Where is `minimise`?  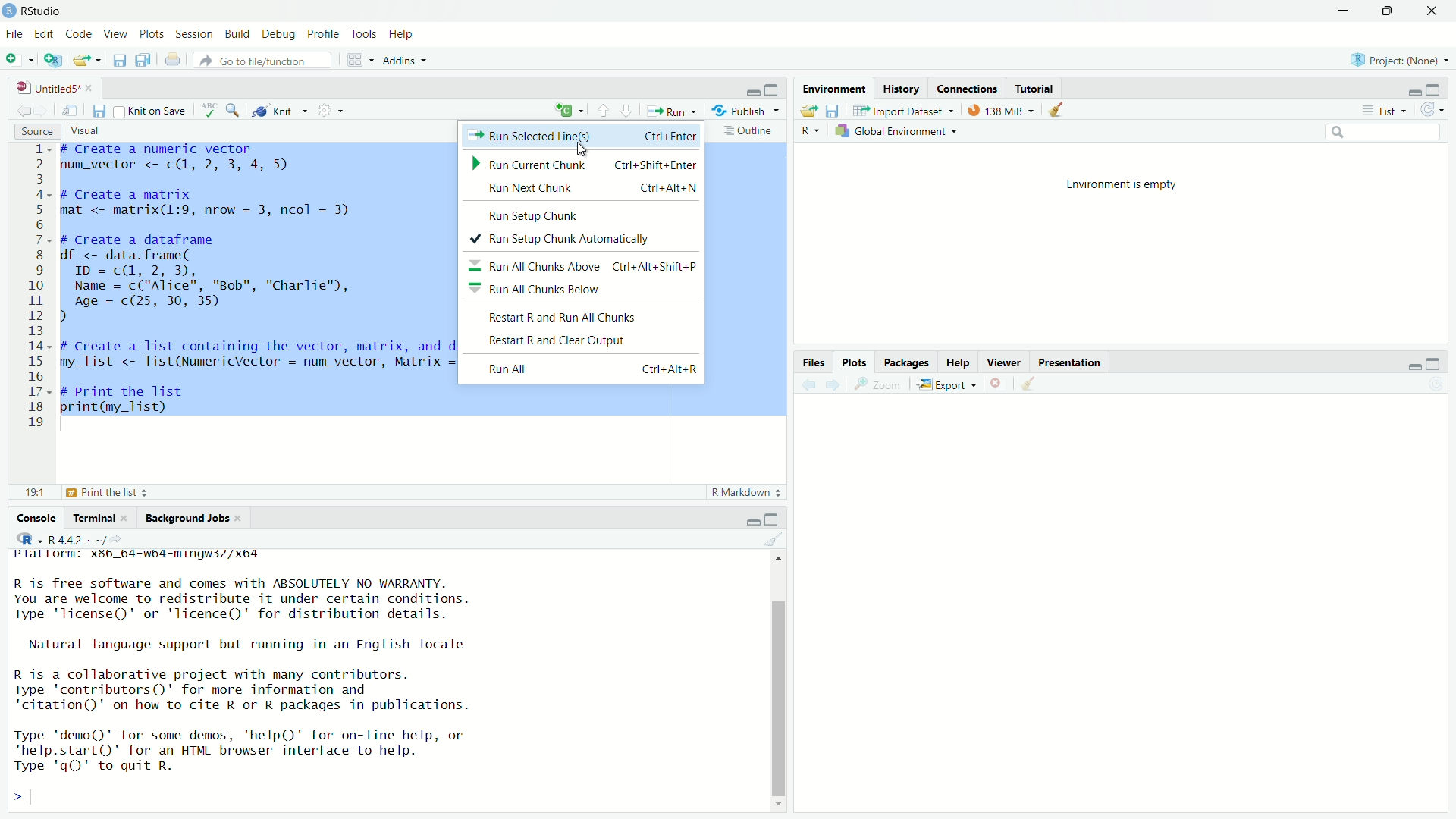
minimise is located at coordinates (1409, 368).